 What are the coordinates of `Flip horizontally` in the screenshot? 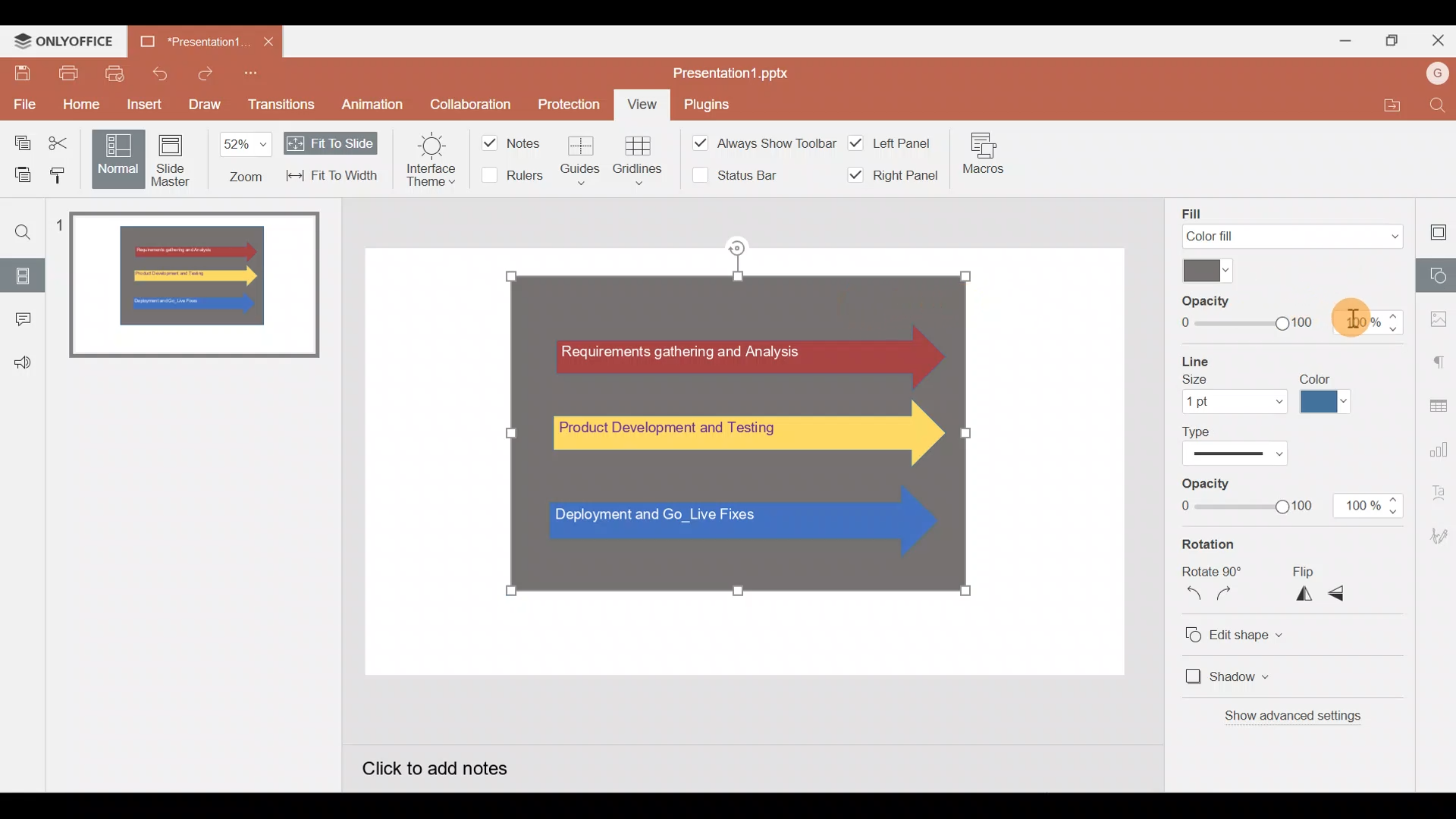 It's located at (1298, 594).